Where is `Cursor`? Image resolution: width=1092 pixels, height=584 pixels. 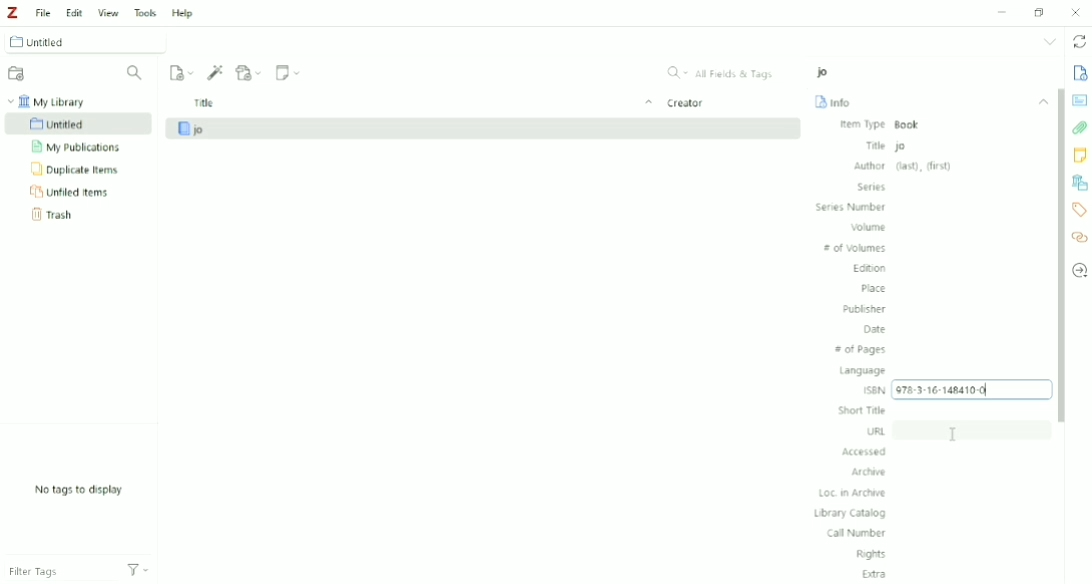 Cursor is located at coordinates (956, 435).